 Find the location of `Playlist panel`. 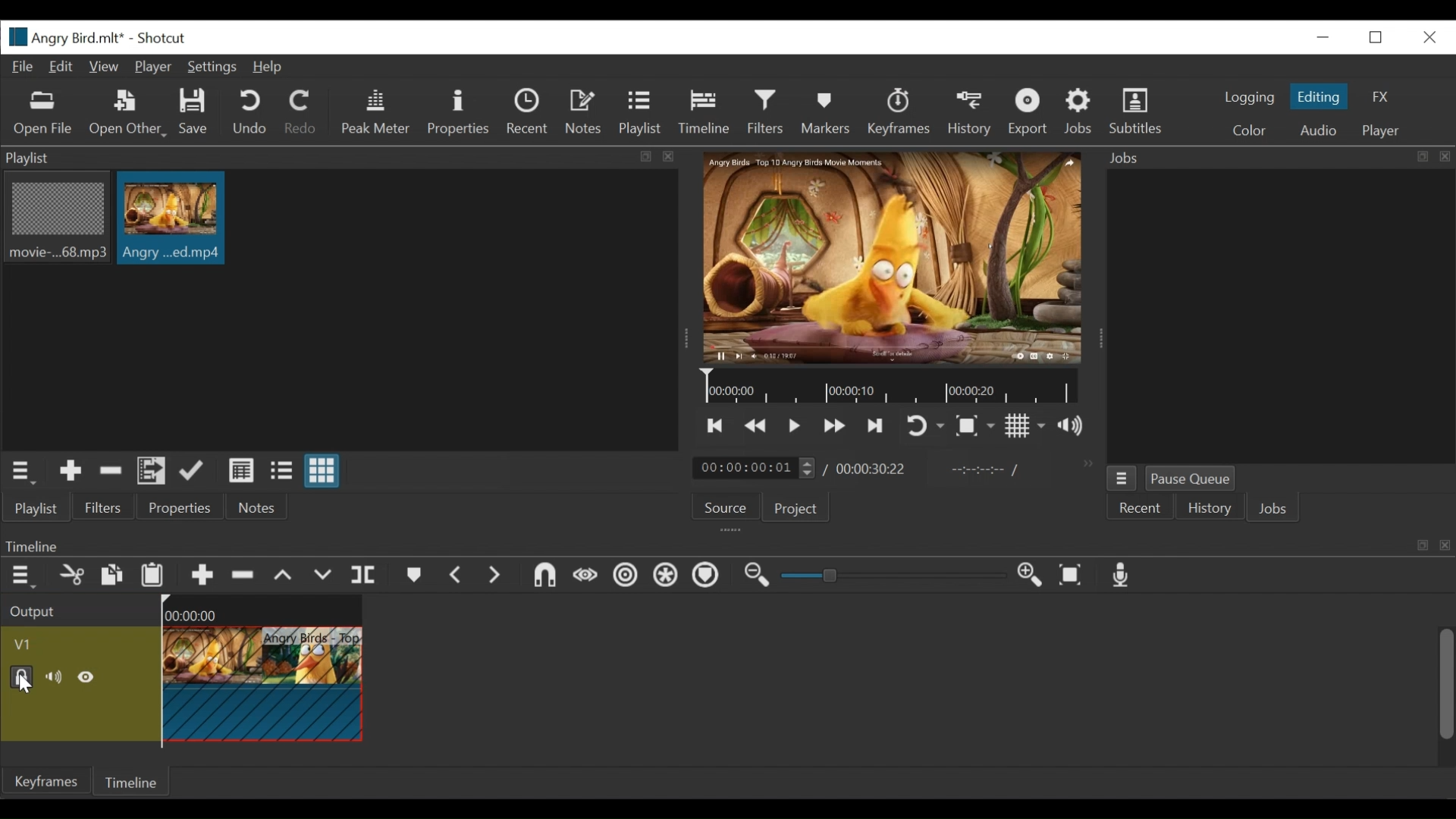

Playlist panel is located at coordinates (342, 158).